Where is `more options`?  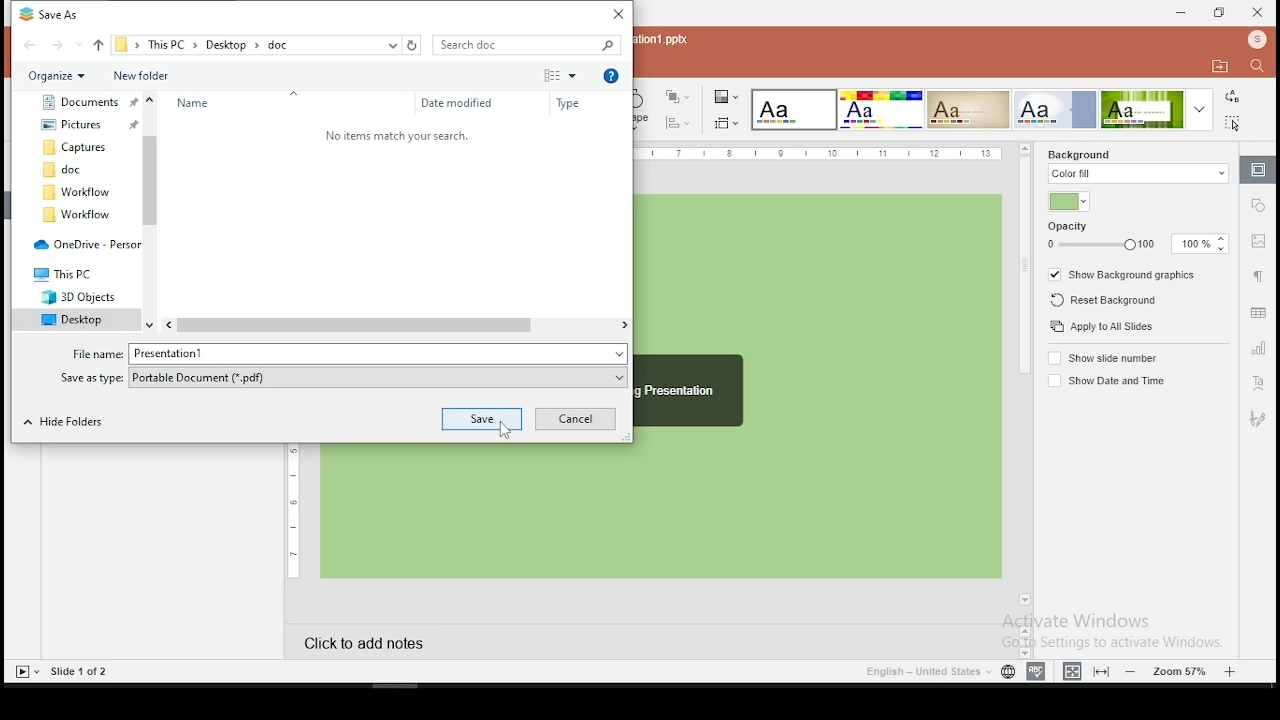 more options is located at coordinates (561, 74).